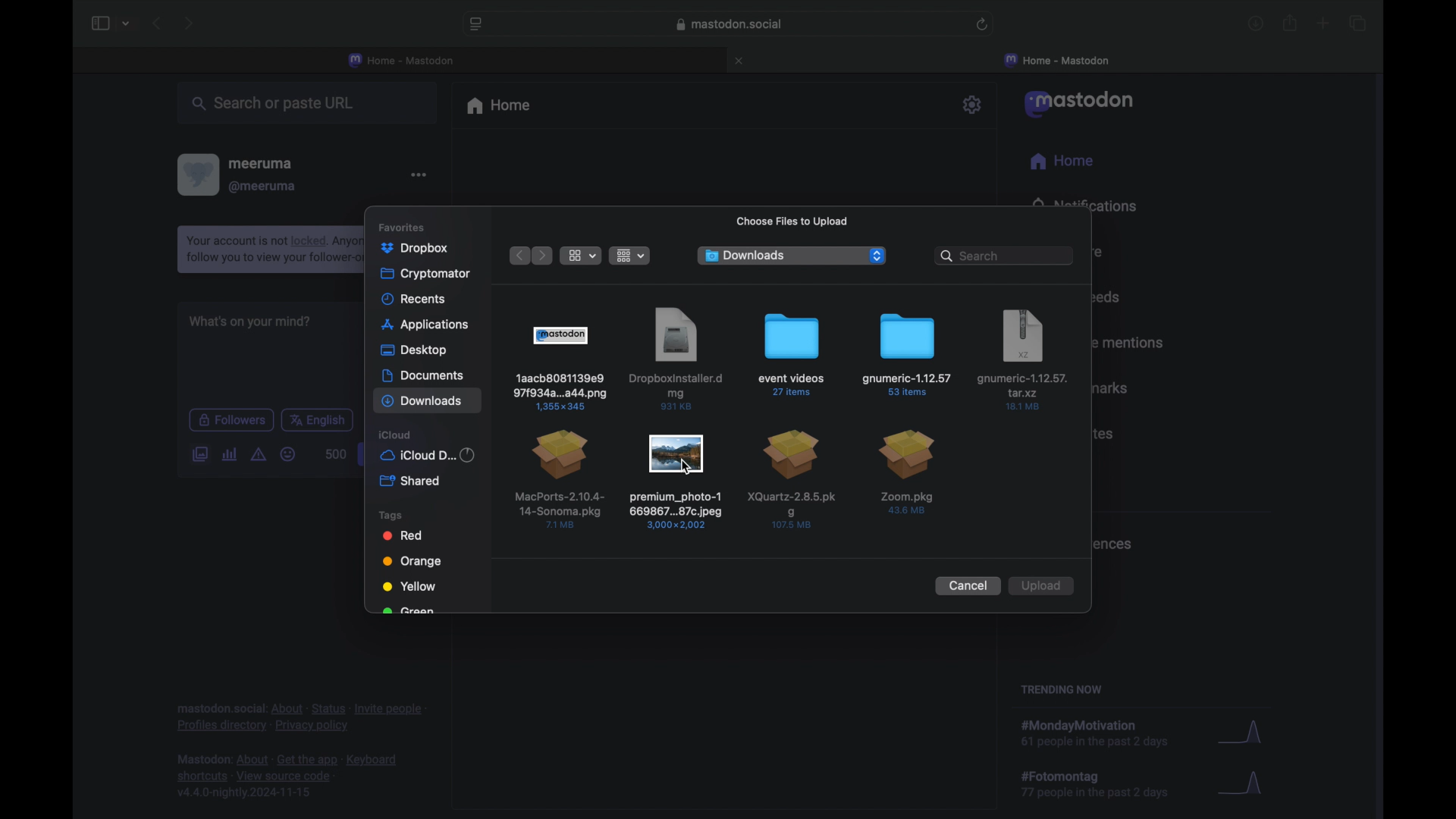  Describe the element at coordinates (318, 421) in the screenshot. I see `english` at that location.